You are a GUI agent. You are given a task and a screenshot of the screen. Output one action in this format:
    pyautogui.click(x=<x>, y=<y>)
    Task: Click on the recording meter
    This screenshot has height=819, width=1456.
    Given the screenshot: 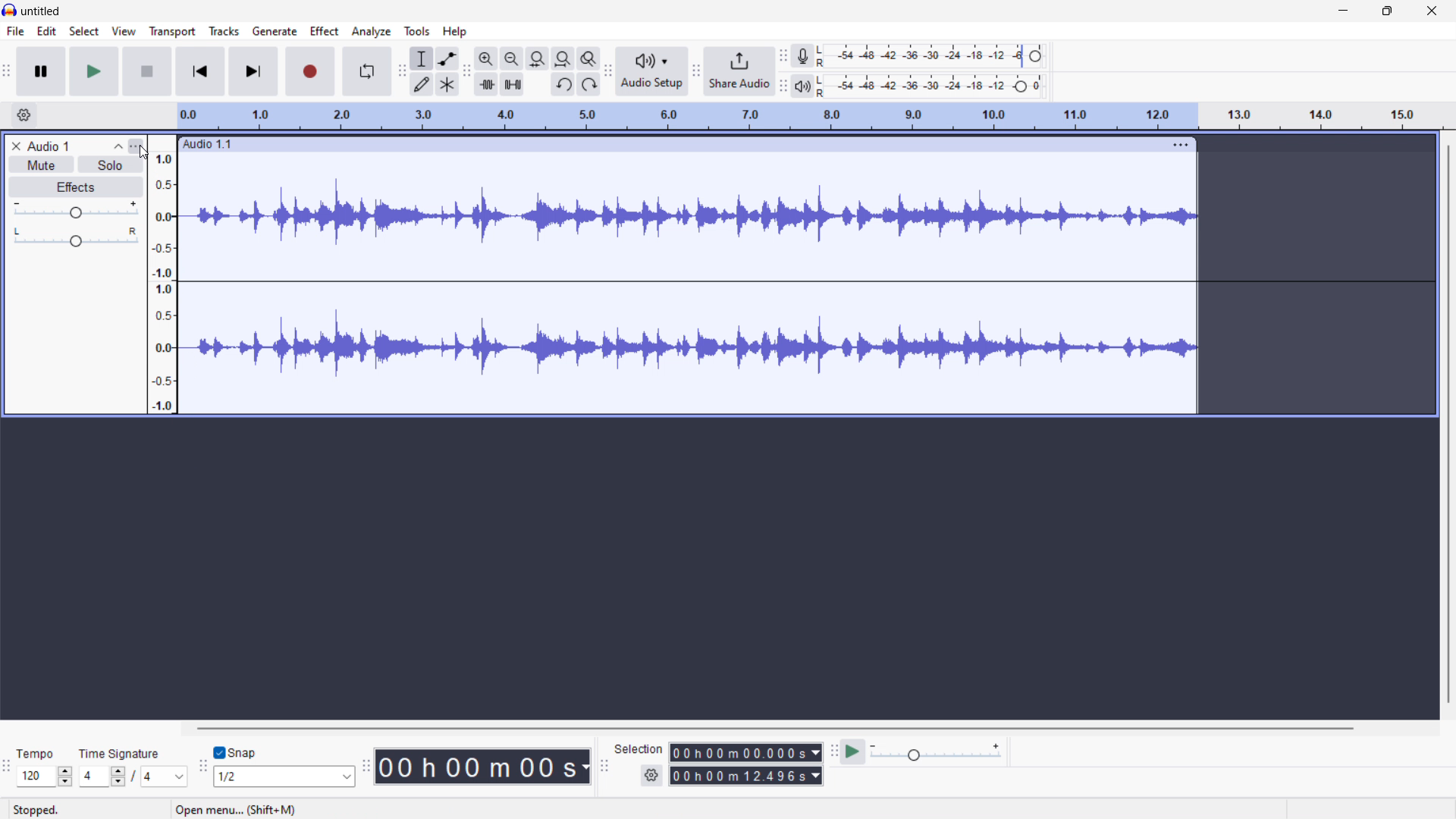 What is the action you would take?
    pyautogui.click(x=805, y=55)
    